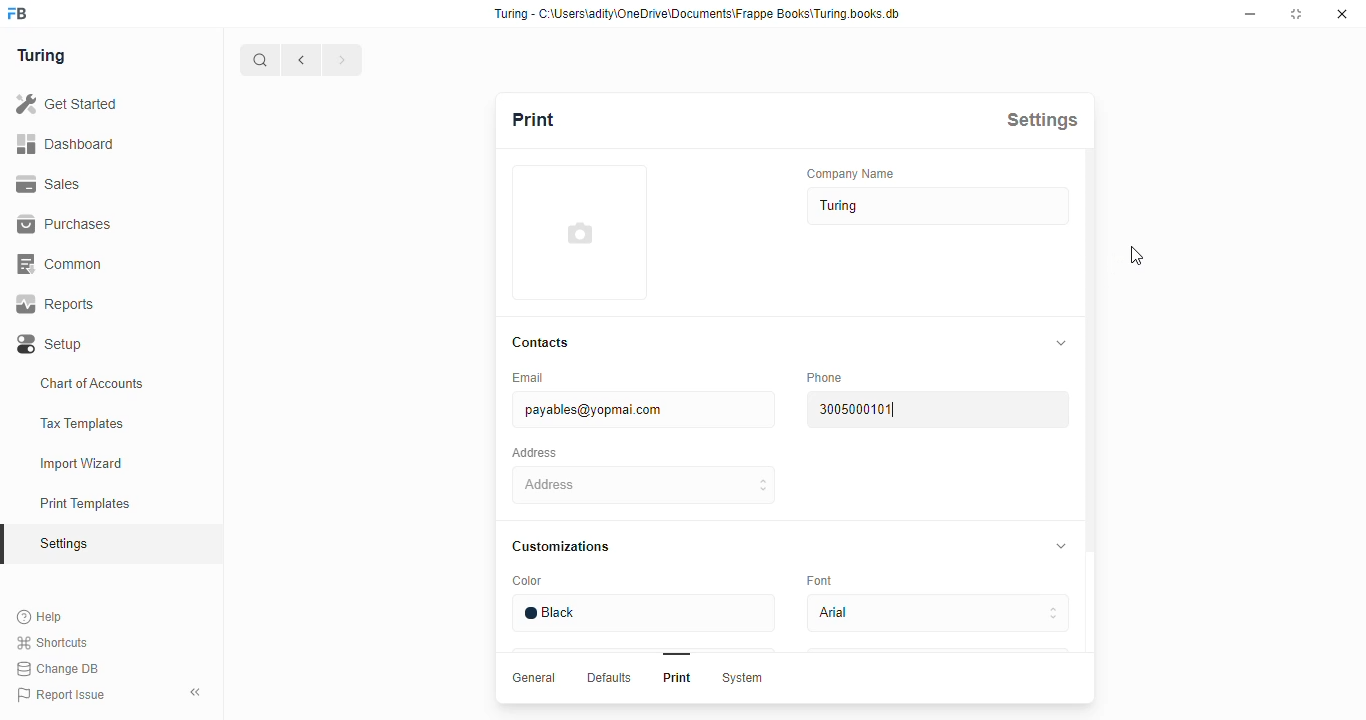  Describe the element at coordinates (606, 678) in the screenshot. I see `Defaults` at that location.